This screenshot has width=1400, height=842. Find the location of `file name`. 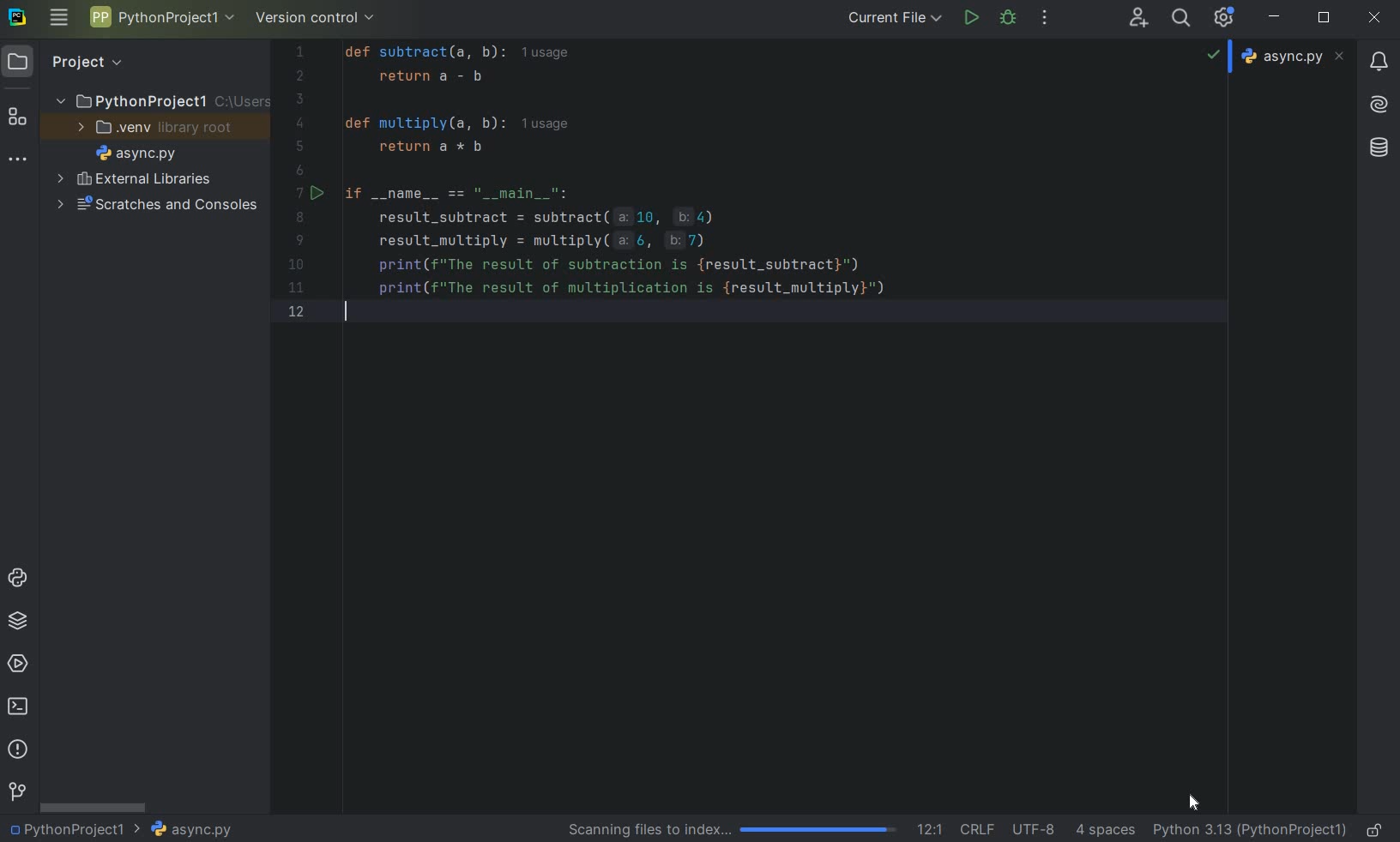

file name is located at coordinates (136, 153).